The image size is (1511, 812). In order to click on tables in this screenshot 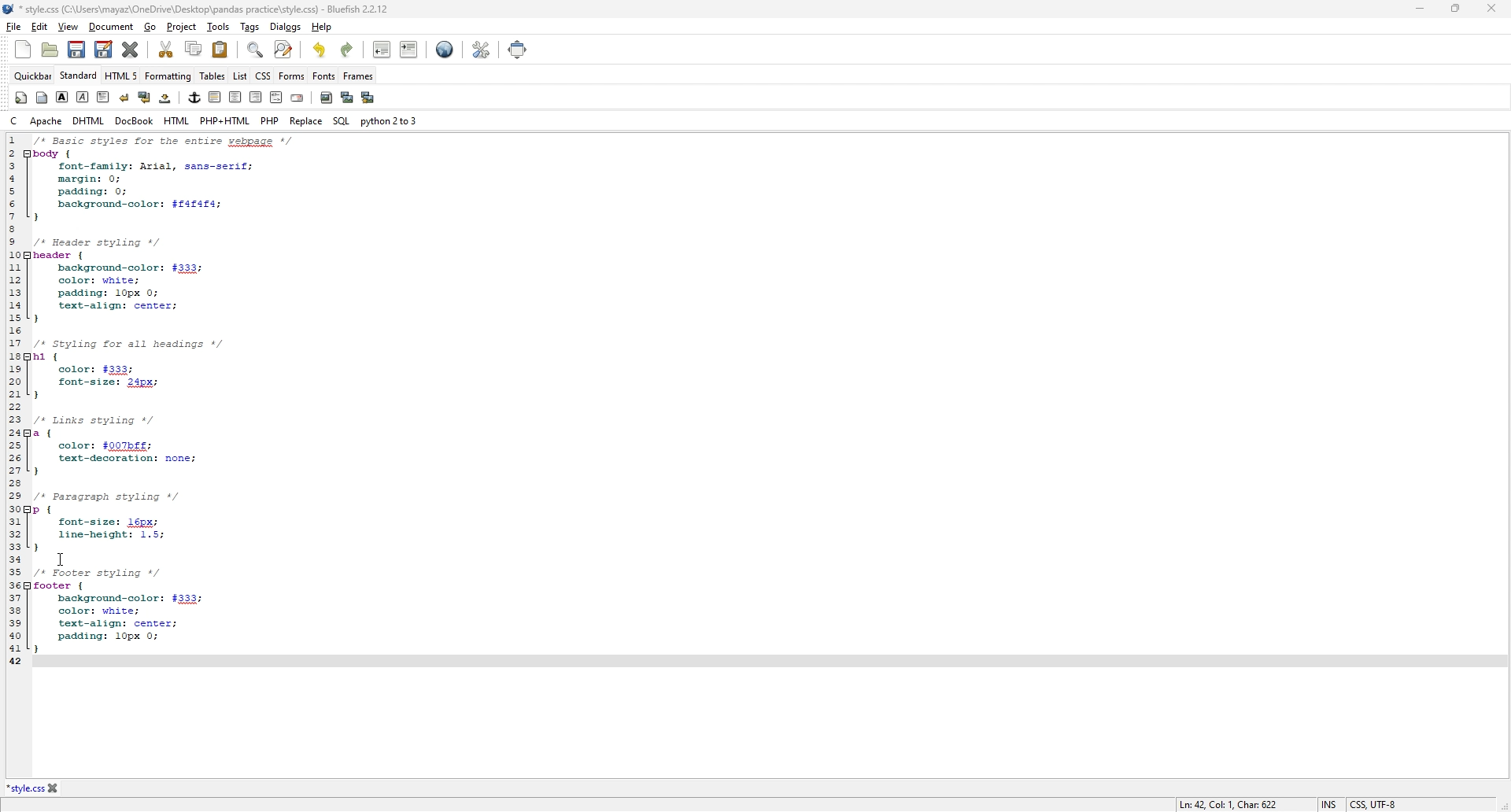, I will do `click(212, 76)`.